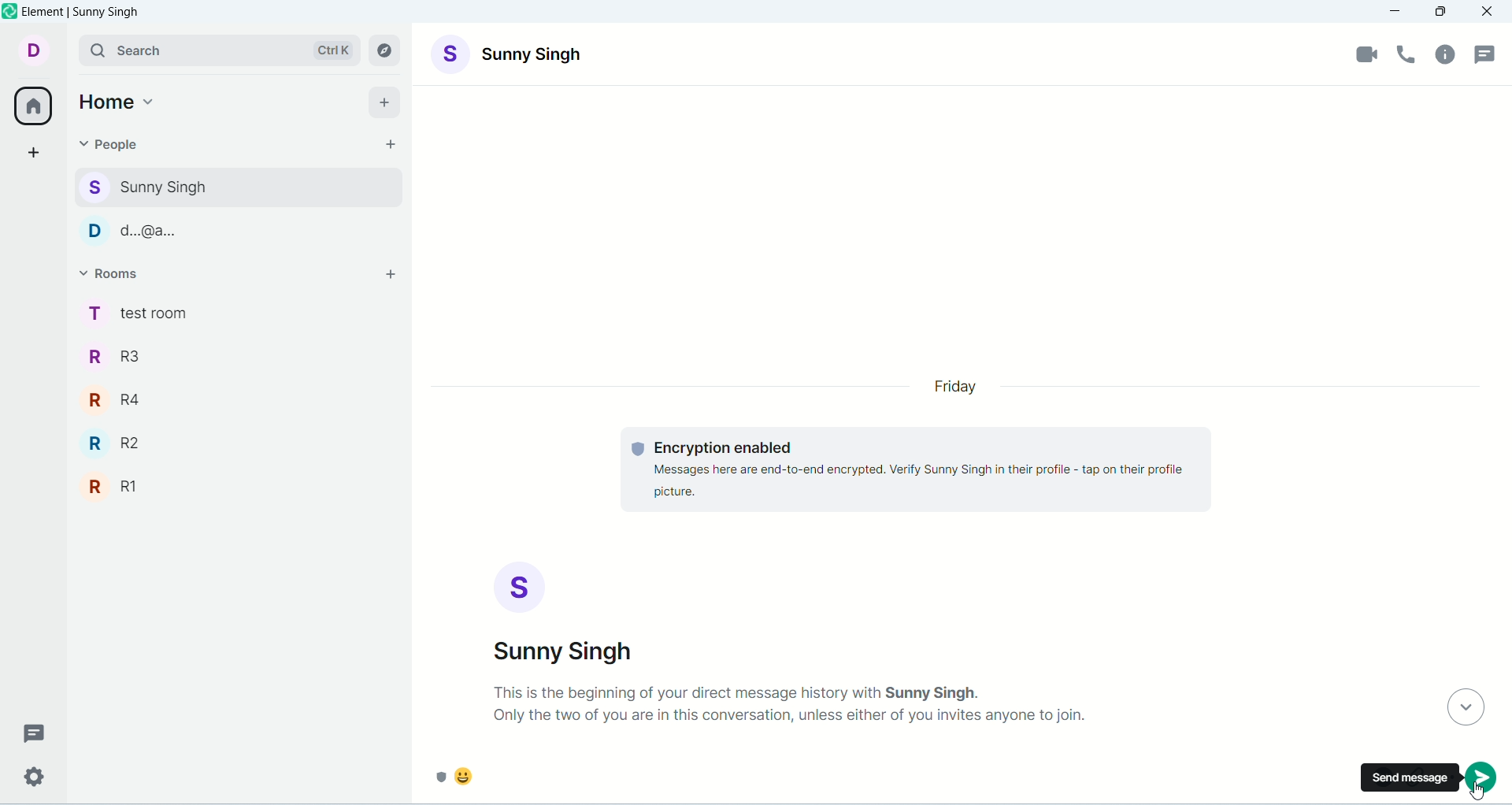 This screenshot has width=1512, height=805. Describe the element at coordinates (35, 50) in the screenshot. I see `account` at that location.